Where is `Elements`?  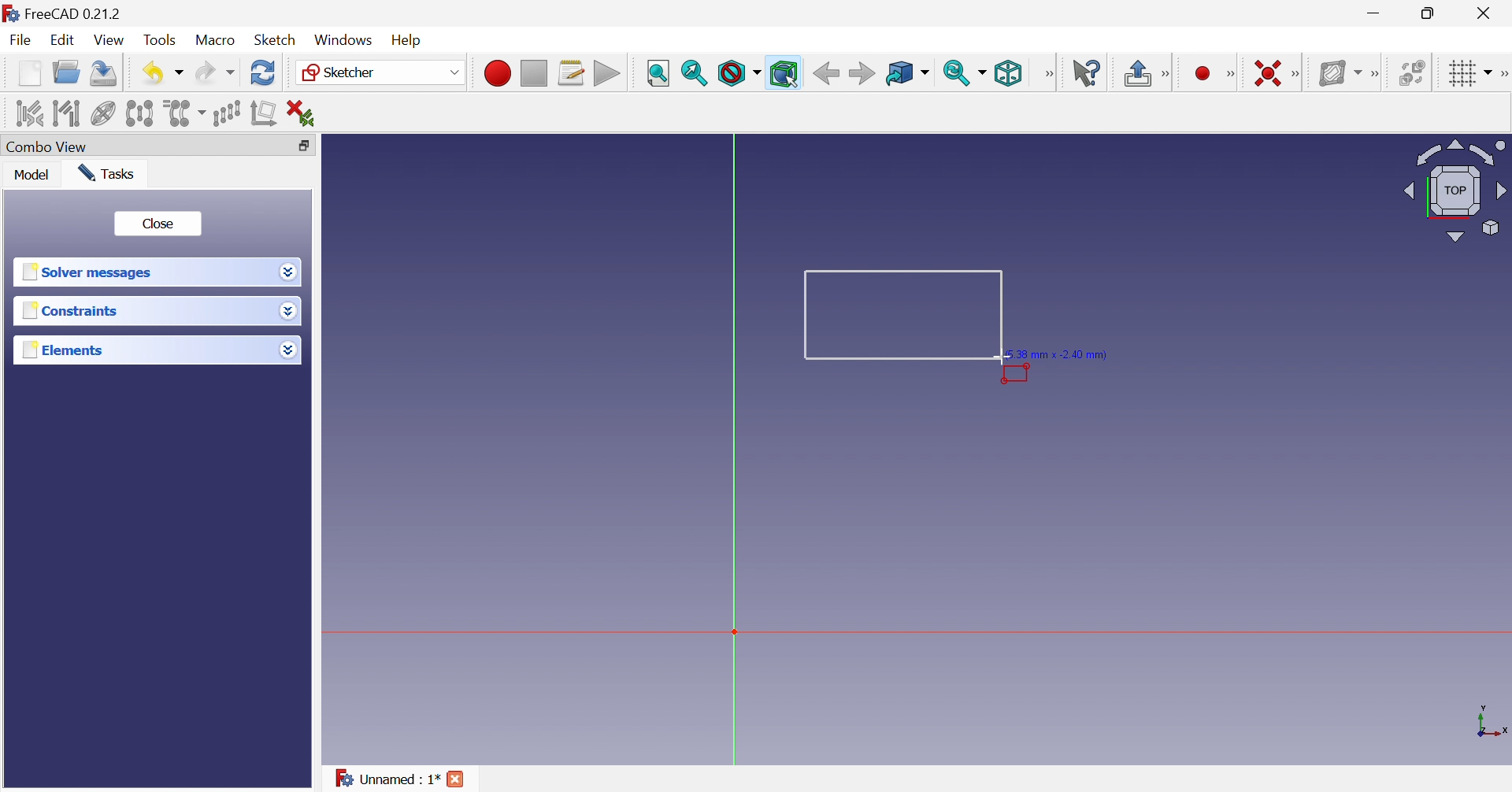 Elements is located at coordinates (65, 350).